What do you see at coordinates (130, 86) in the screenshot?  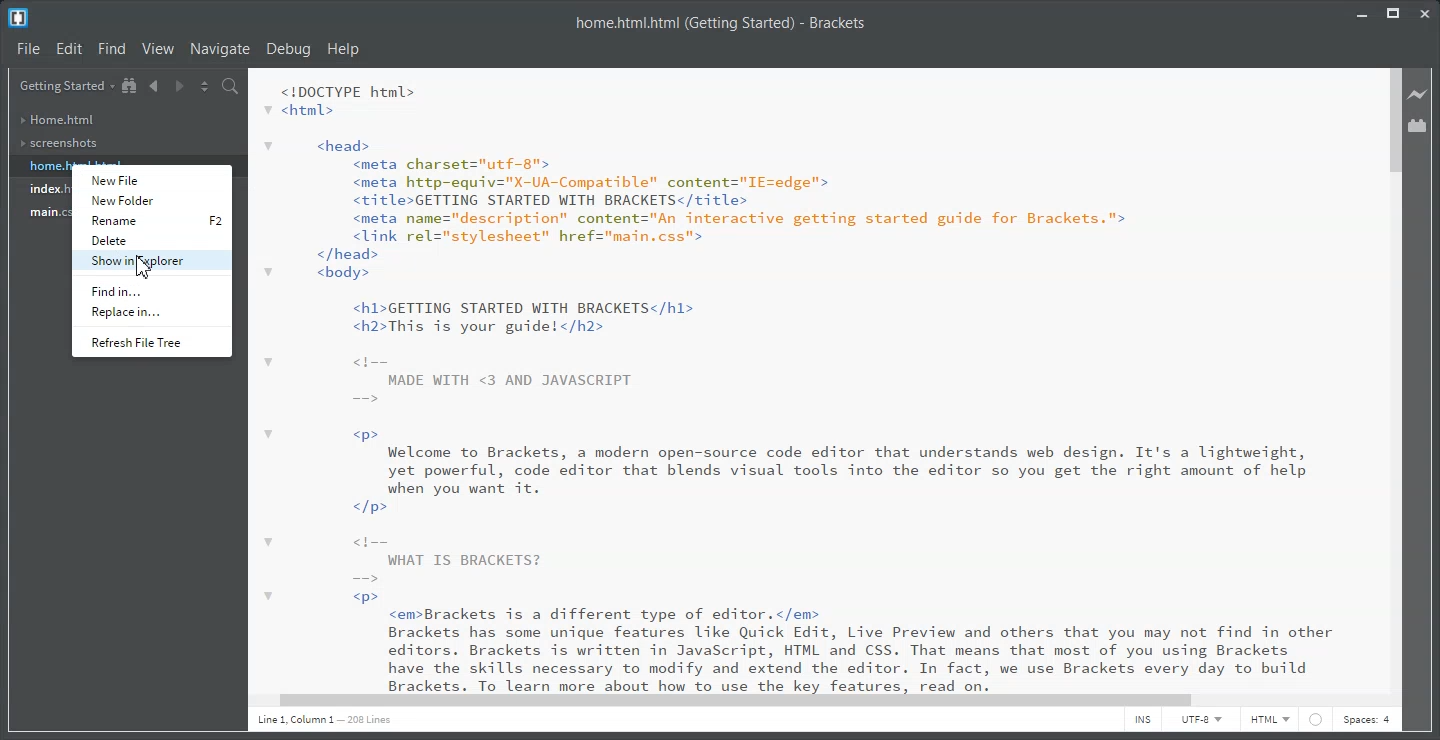 I see `Show File in tree` at bounding box center [130, 86].